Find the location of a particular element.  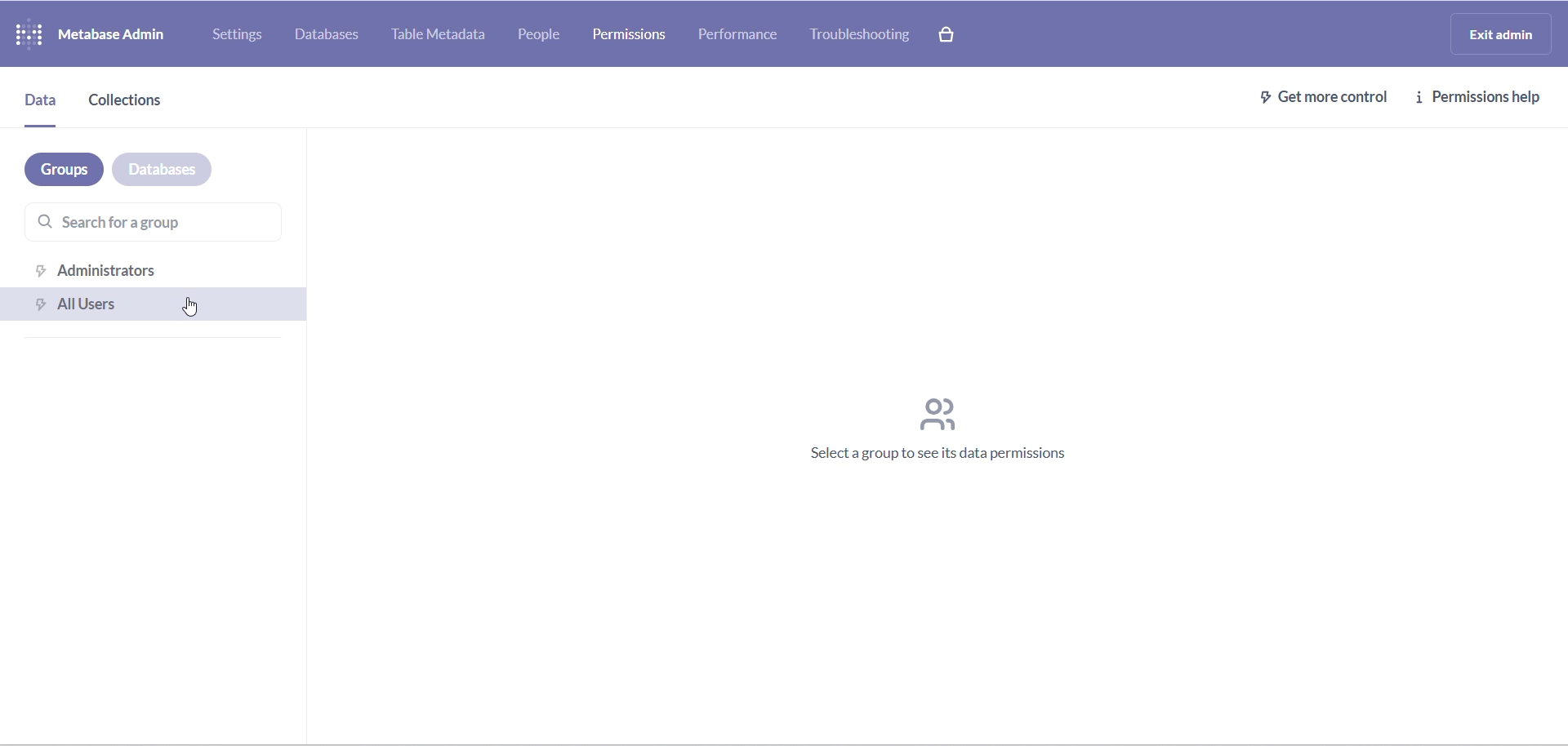

get more control is located at coordinates (1314, 100).